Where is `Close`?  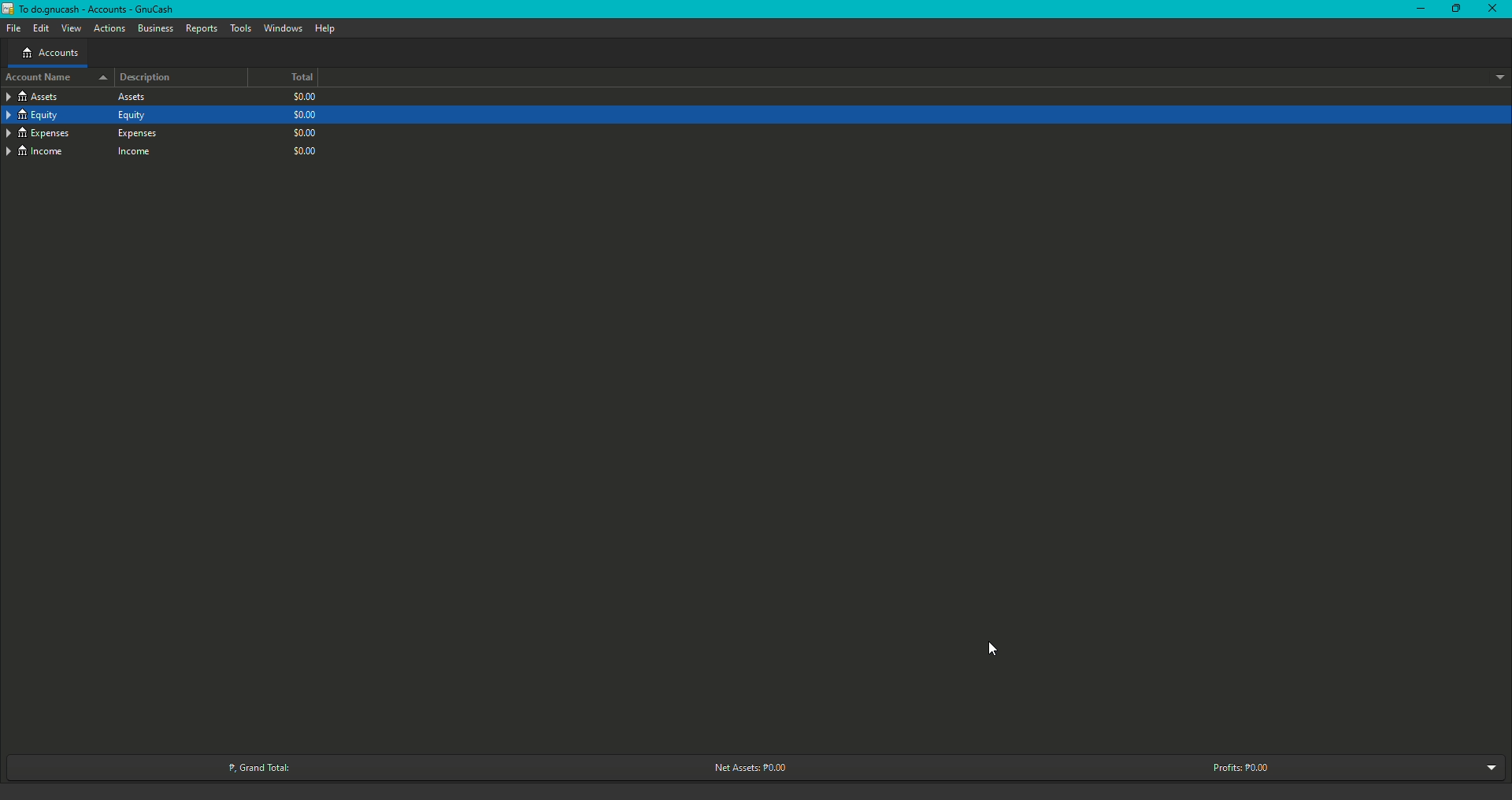
Close is located at coordinates (1493, 9).